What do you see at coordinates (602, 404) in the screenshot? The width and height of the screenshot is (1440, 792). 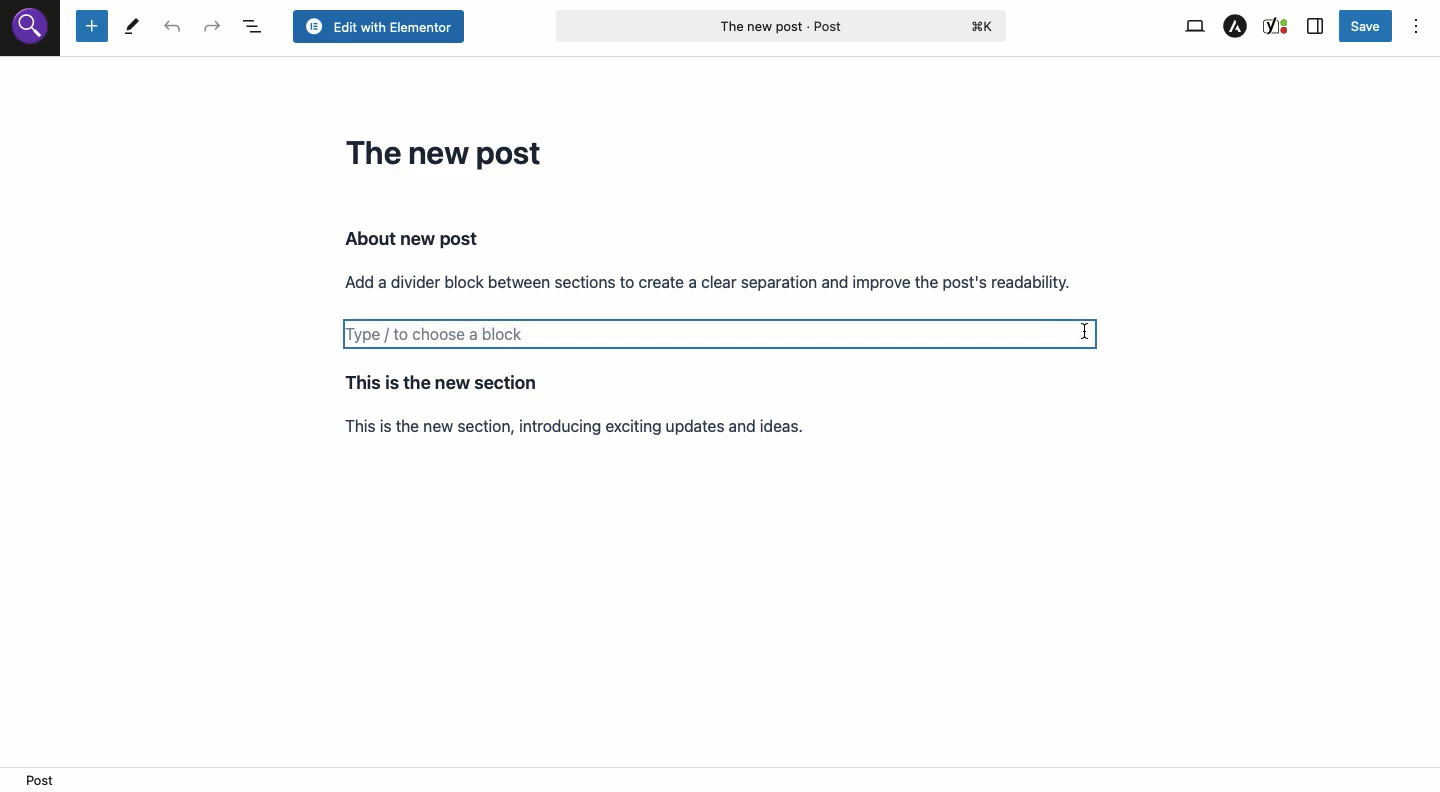 I see `Section 2` at bounding box center [602, 404].